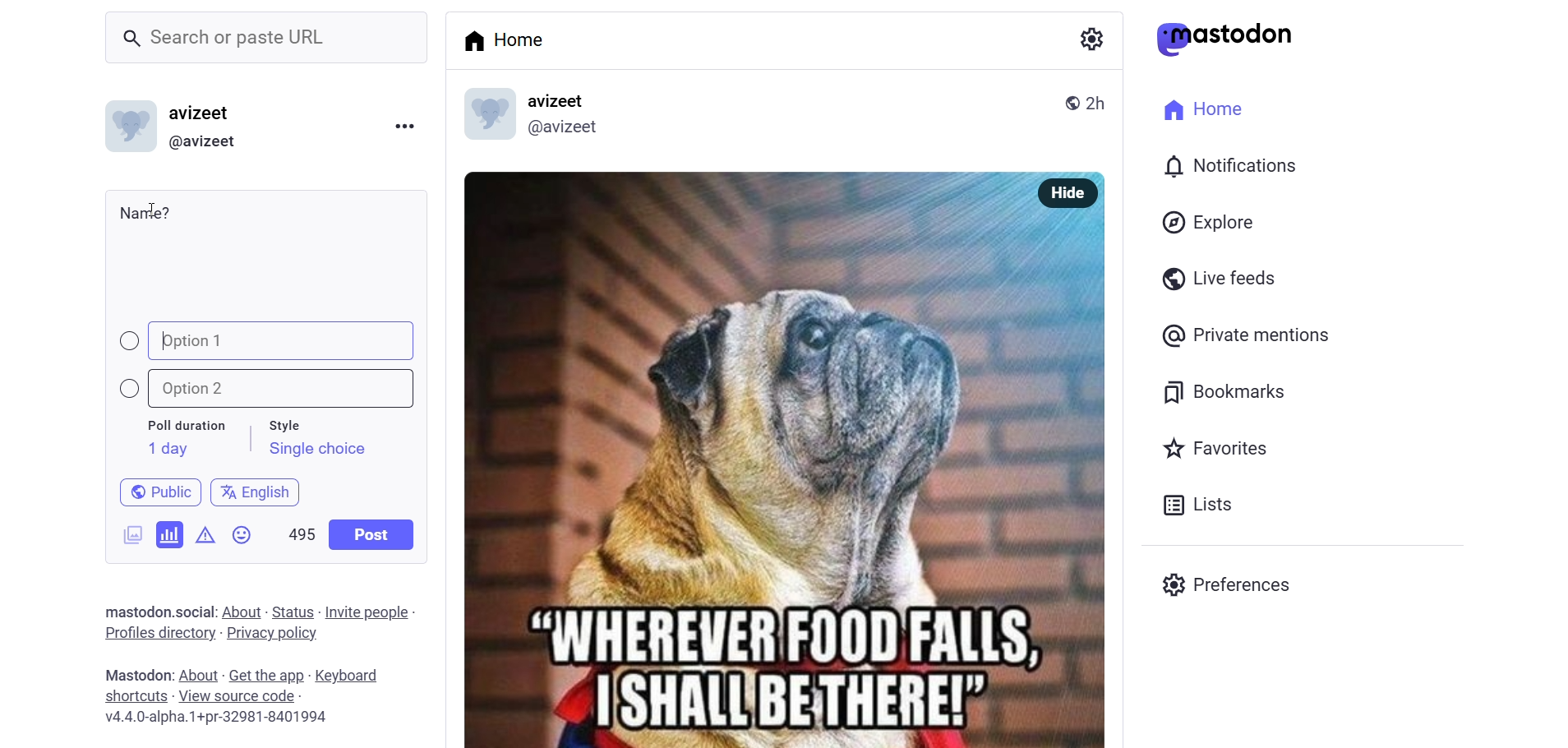  I want to click on option 2, so click(275, 389).